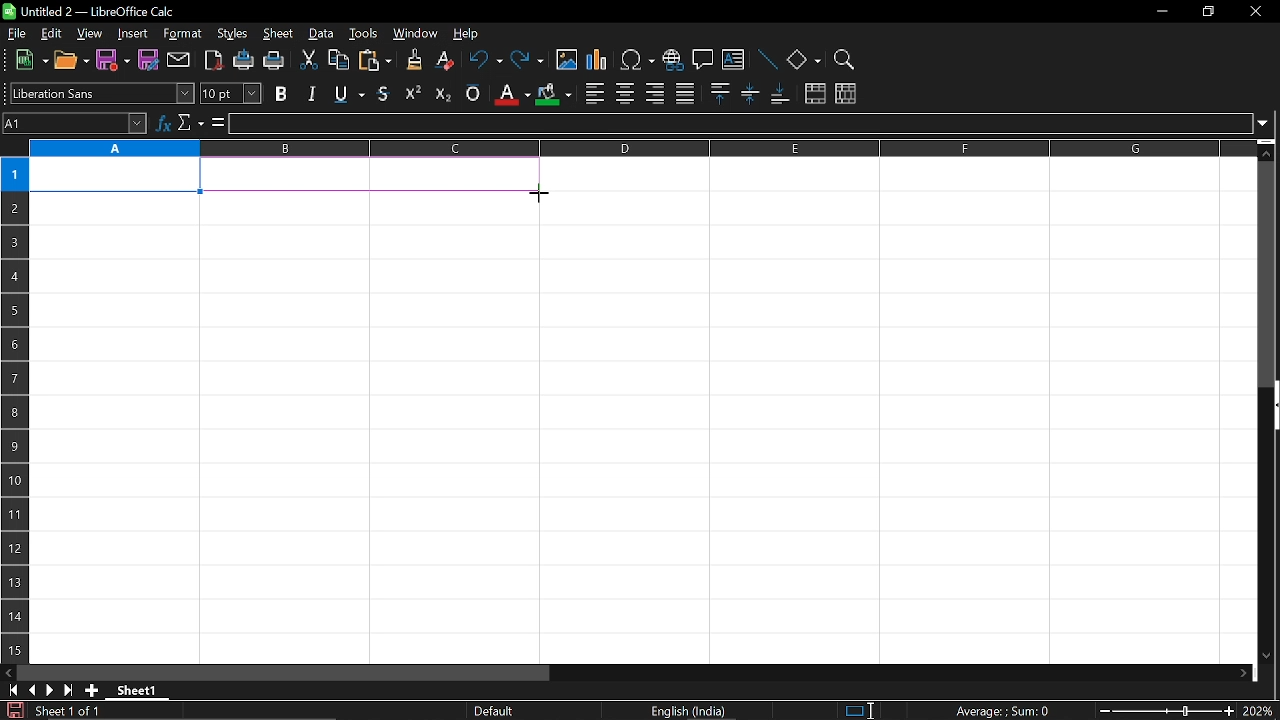 This screenshot has width=1280, height=720. What do you see at coordinates (284, 673) in the screenshot?
I see `horizontal scrollbar` at bounding box center [284, 673].